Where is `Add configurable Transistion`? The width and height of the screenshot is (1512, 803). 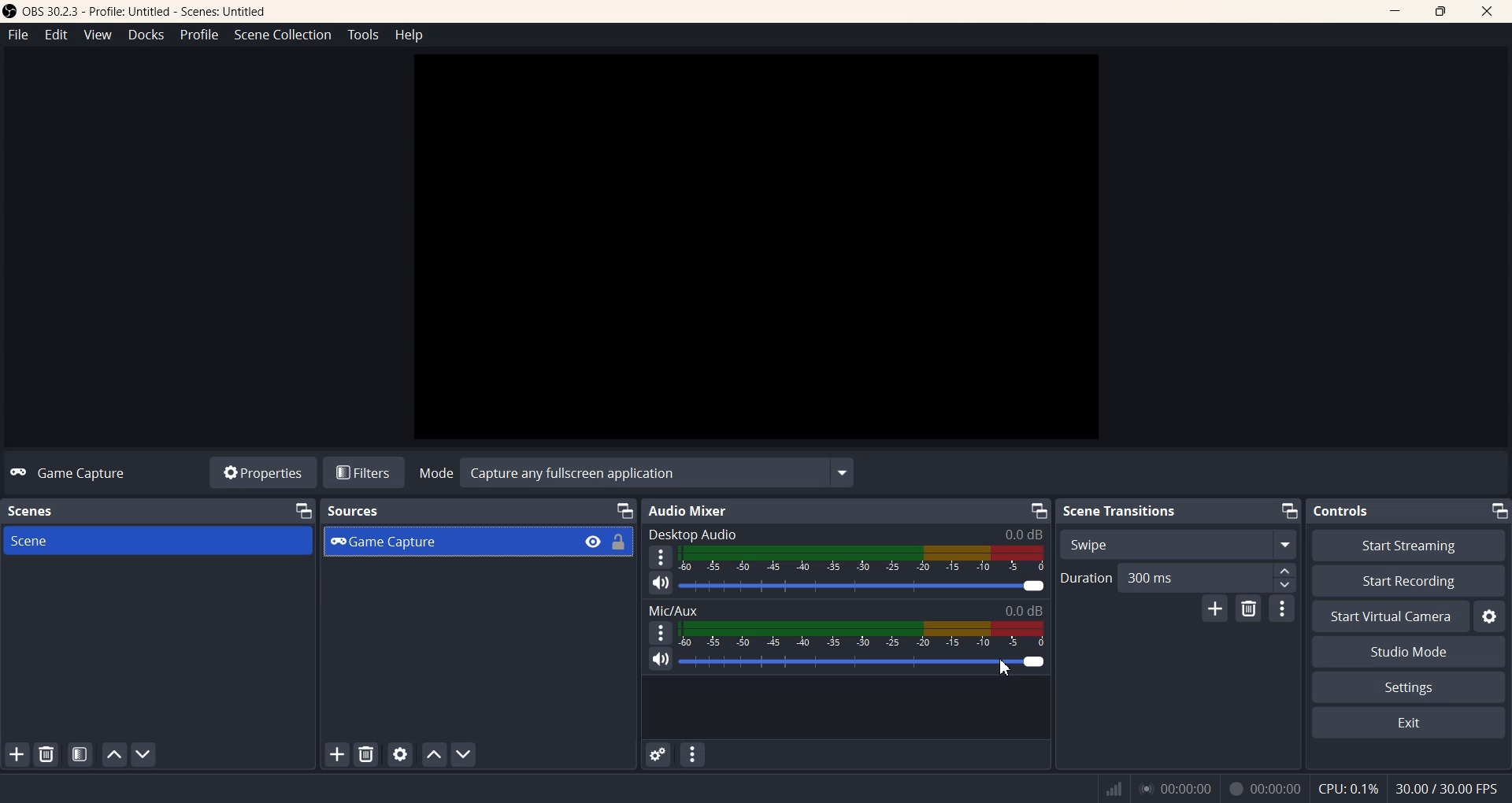 Add configurable Transistion is located at coordinates (1215, 609).